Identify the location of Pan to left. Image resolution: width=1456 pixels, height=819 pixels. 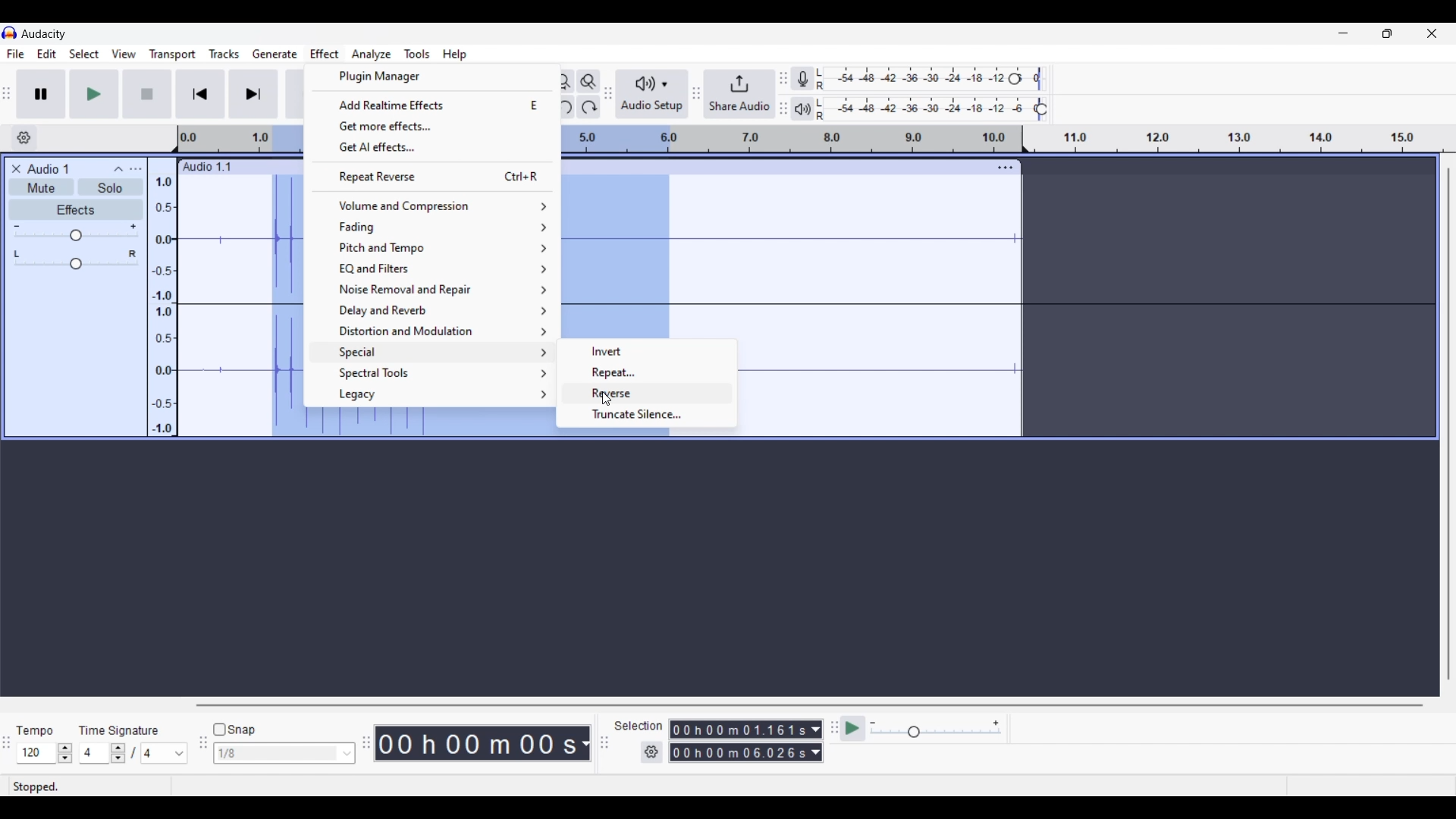
(17, 254).